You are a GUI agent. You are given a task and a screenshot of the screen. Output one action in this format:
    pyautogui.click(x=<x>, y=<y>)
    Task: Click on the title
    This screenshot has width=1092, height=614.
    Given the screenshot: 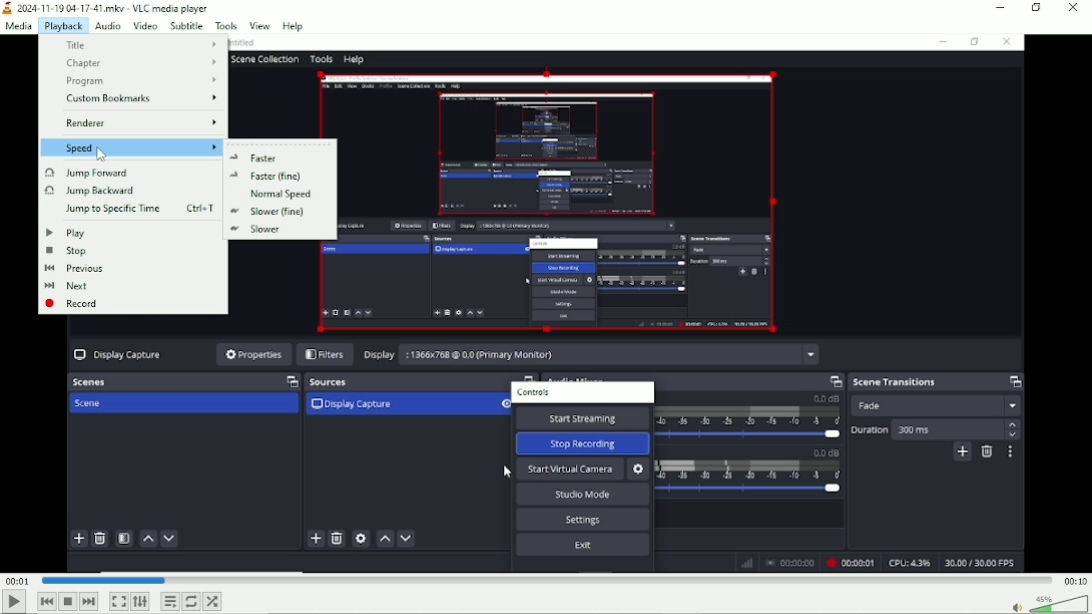 What is the action you would take?
    pyautogui.click(x=134, y=45)
    